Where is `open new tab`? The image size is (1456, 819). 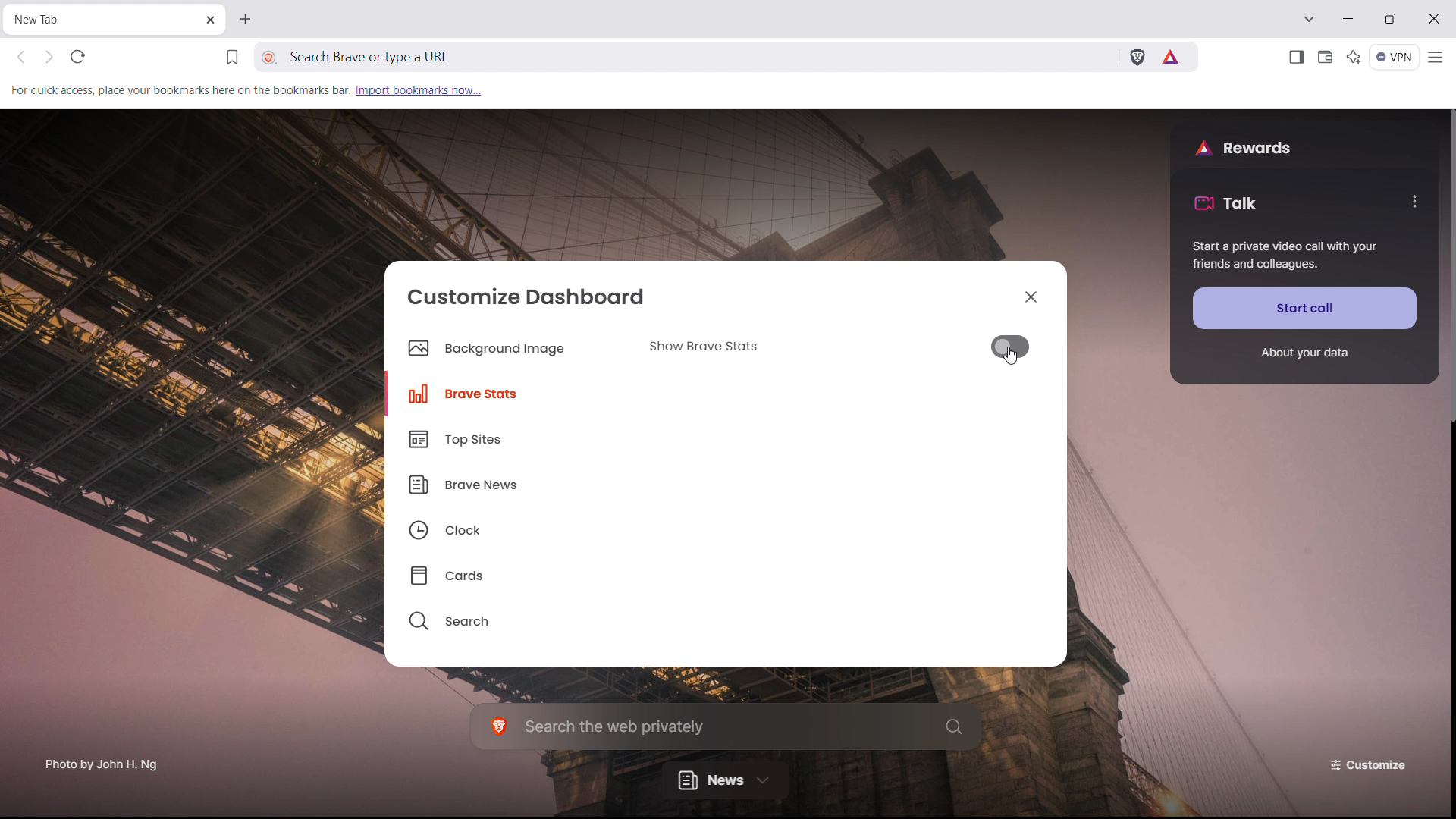 open new tab is located at coordinates (243, 19).